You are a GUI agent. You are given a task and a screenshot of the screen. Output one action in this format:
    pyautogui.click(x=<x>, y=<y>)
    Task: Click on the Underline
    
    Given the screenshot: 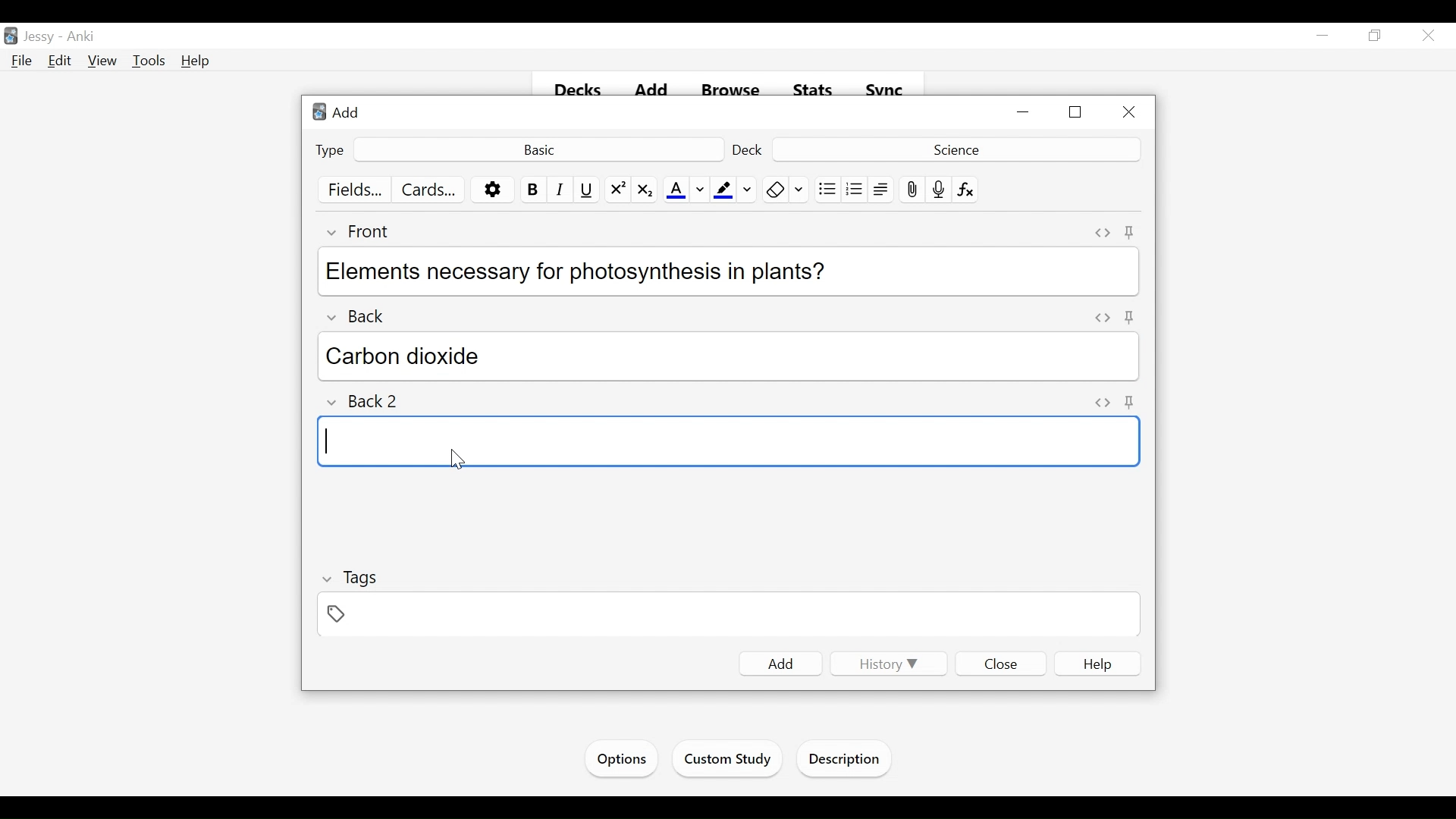 What is the action you would take?
    pyautogui.click(x=588, y=190)
    